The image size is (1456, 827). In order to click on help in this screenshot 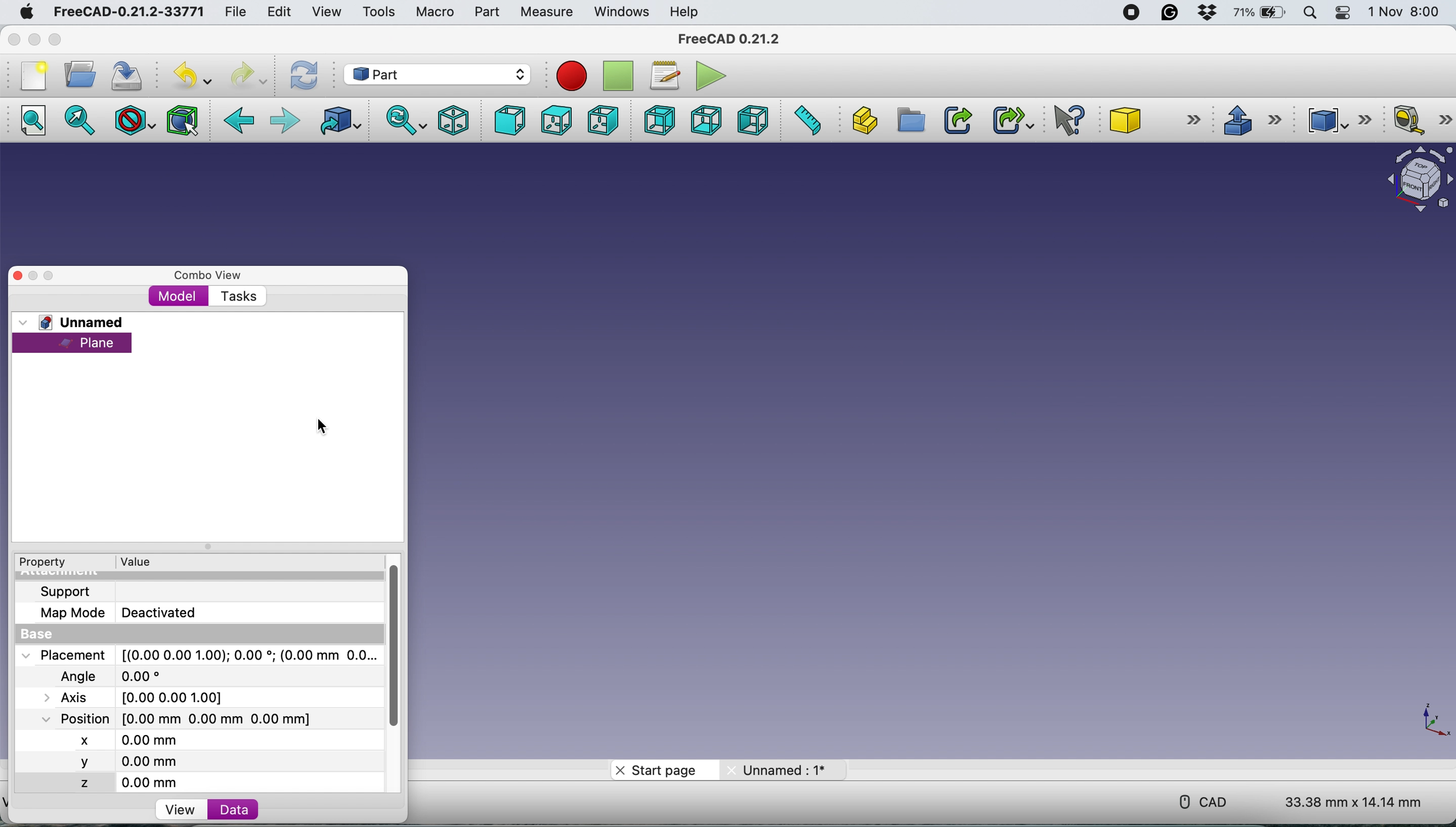, I will do `click(685, 12)`.